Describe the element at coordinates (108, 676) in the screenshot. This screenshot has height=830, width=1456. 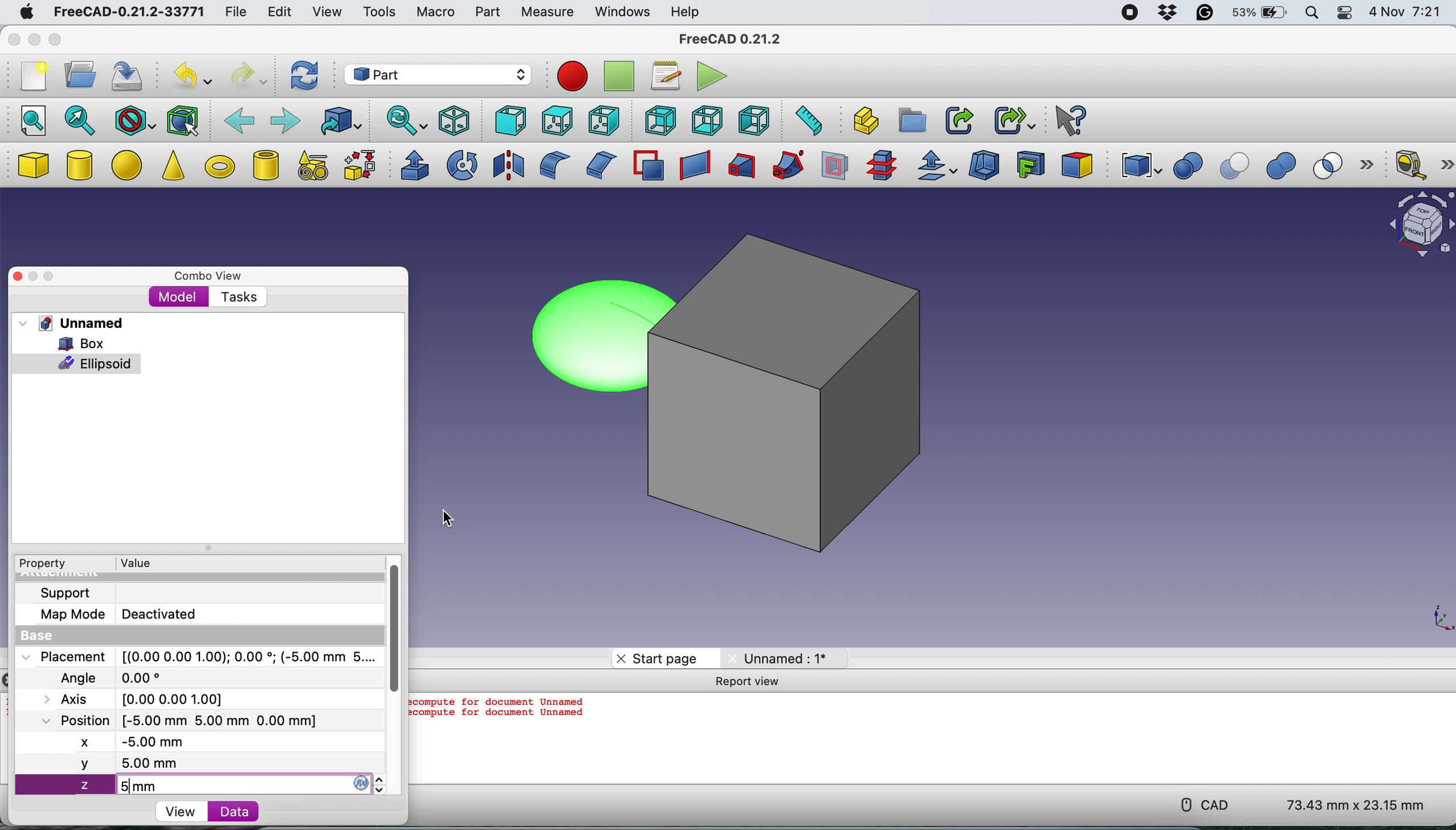
I see `Angle 0.00 degree` at that location.